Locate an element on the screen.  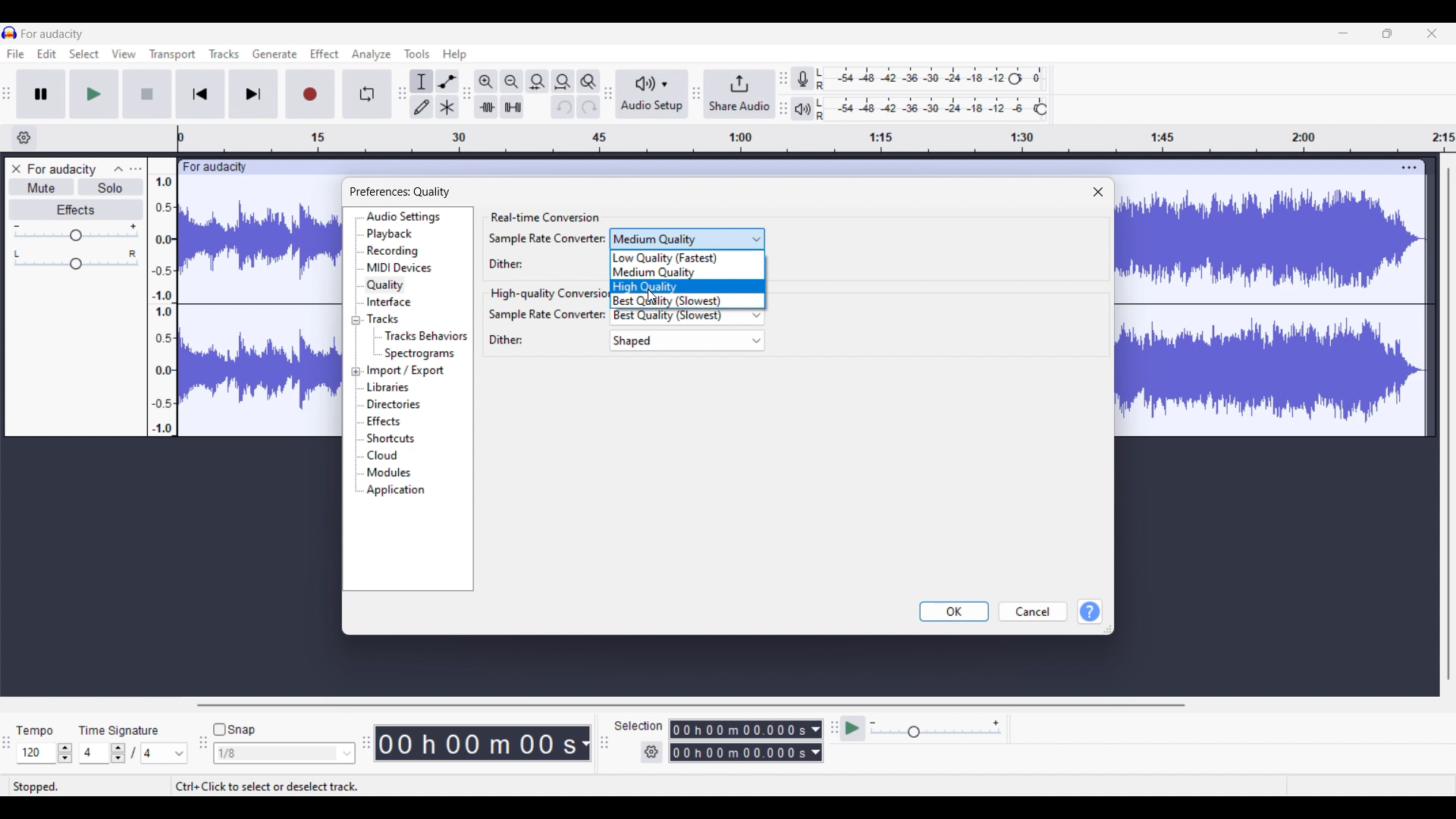
Current project name is located at coordinates (52, 34).